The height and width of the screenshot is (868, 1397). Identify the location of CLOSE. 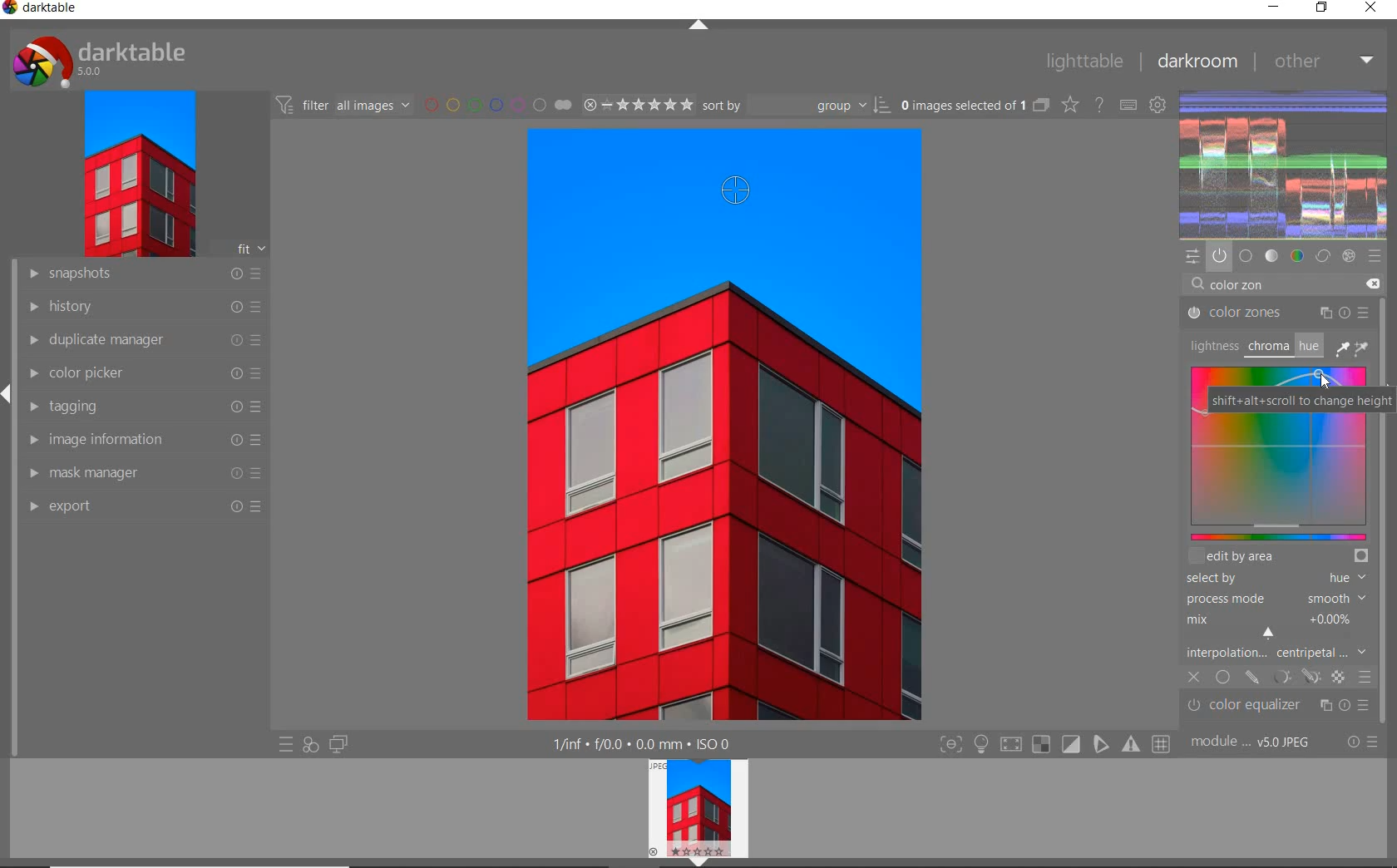
(1194, 678).